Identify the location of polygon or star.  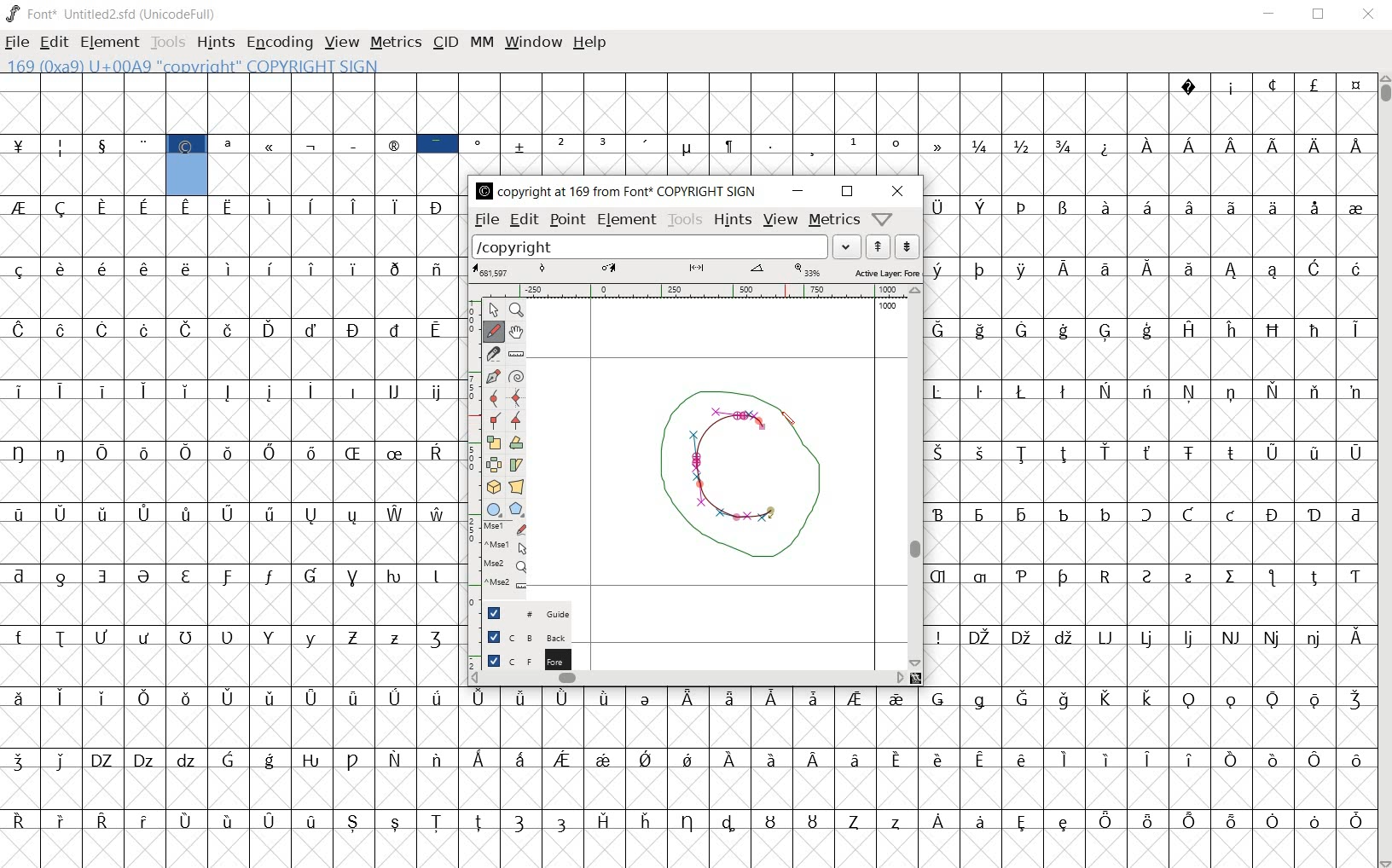
(516, 510).